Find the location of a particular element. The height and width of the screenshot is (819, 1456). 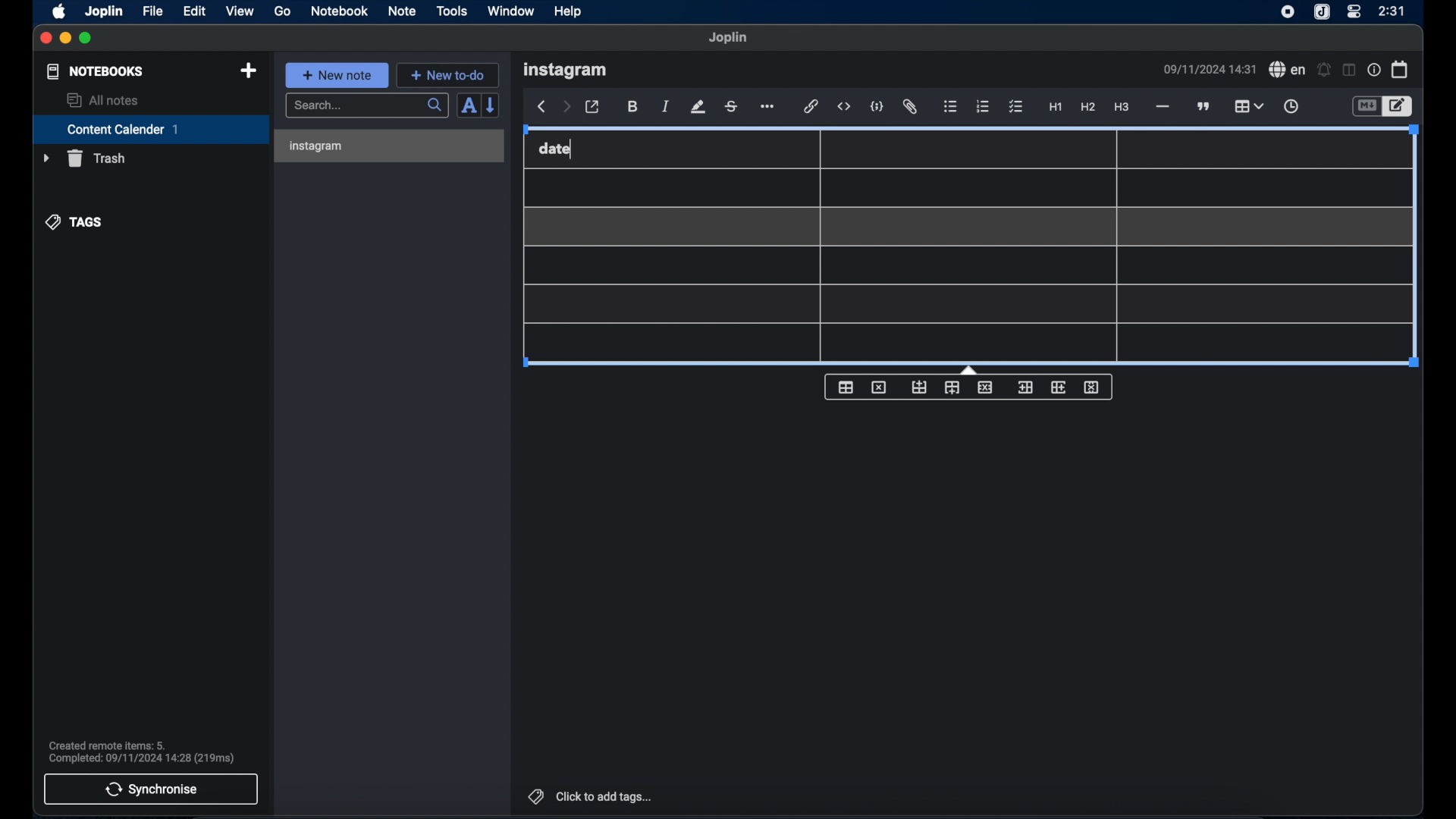

screen recorder icon is located at coordinates (1288, 13).